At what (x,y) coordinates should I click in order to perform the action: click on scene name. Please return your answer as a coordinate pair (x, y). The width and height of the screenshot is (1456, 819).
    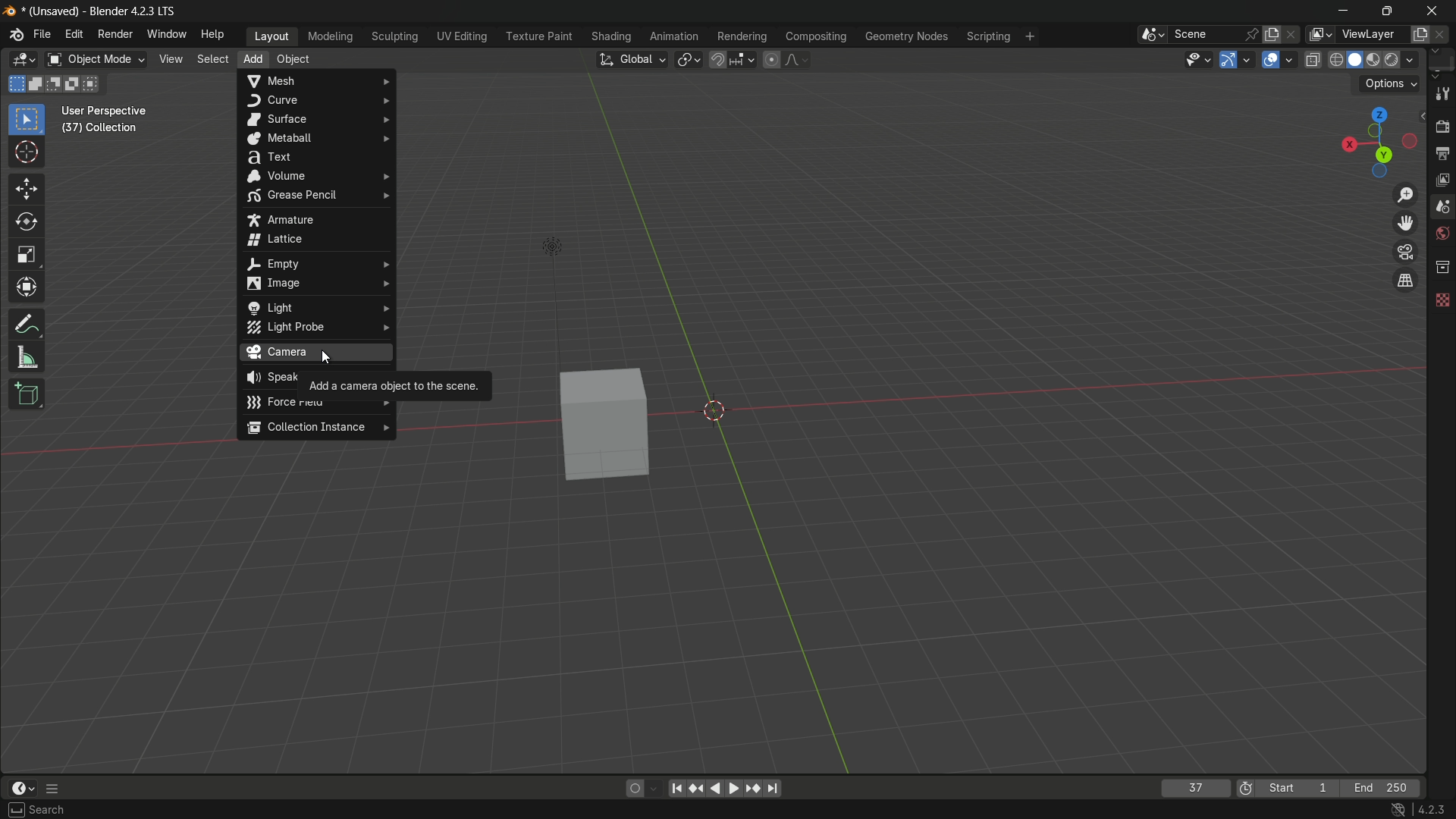
    Looking at the image, I should click on (1203, 35).